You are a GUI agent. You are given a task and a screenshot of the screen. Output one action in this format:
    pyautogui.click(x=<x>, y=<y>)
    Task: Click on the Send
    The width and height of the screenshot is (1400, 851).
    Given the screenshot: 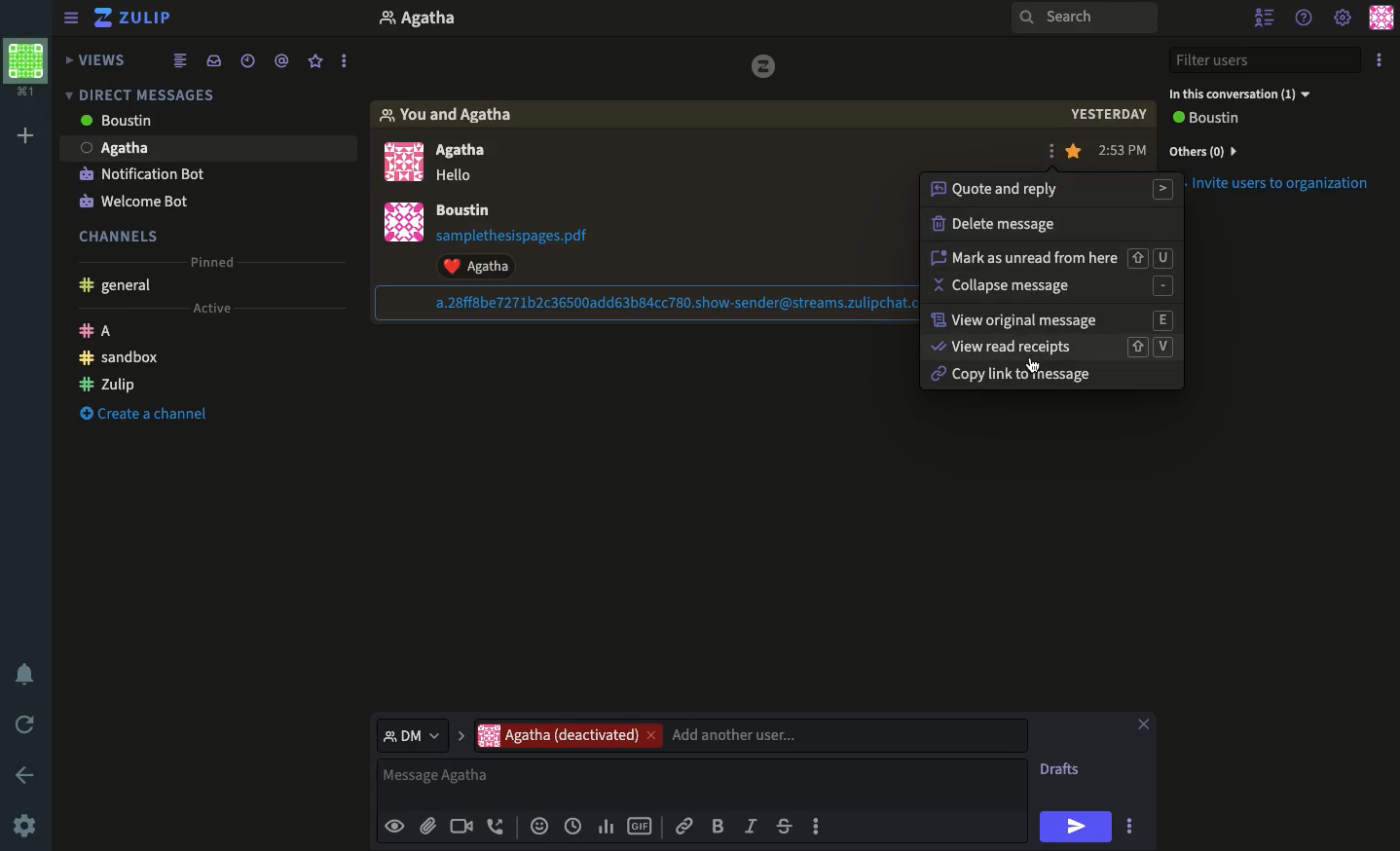 What is the action you would take?
    pyautogui.click(x=1076, y=827)
    